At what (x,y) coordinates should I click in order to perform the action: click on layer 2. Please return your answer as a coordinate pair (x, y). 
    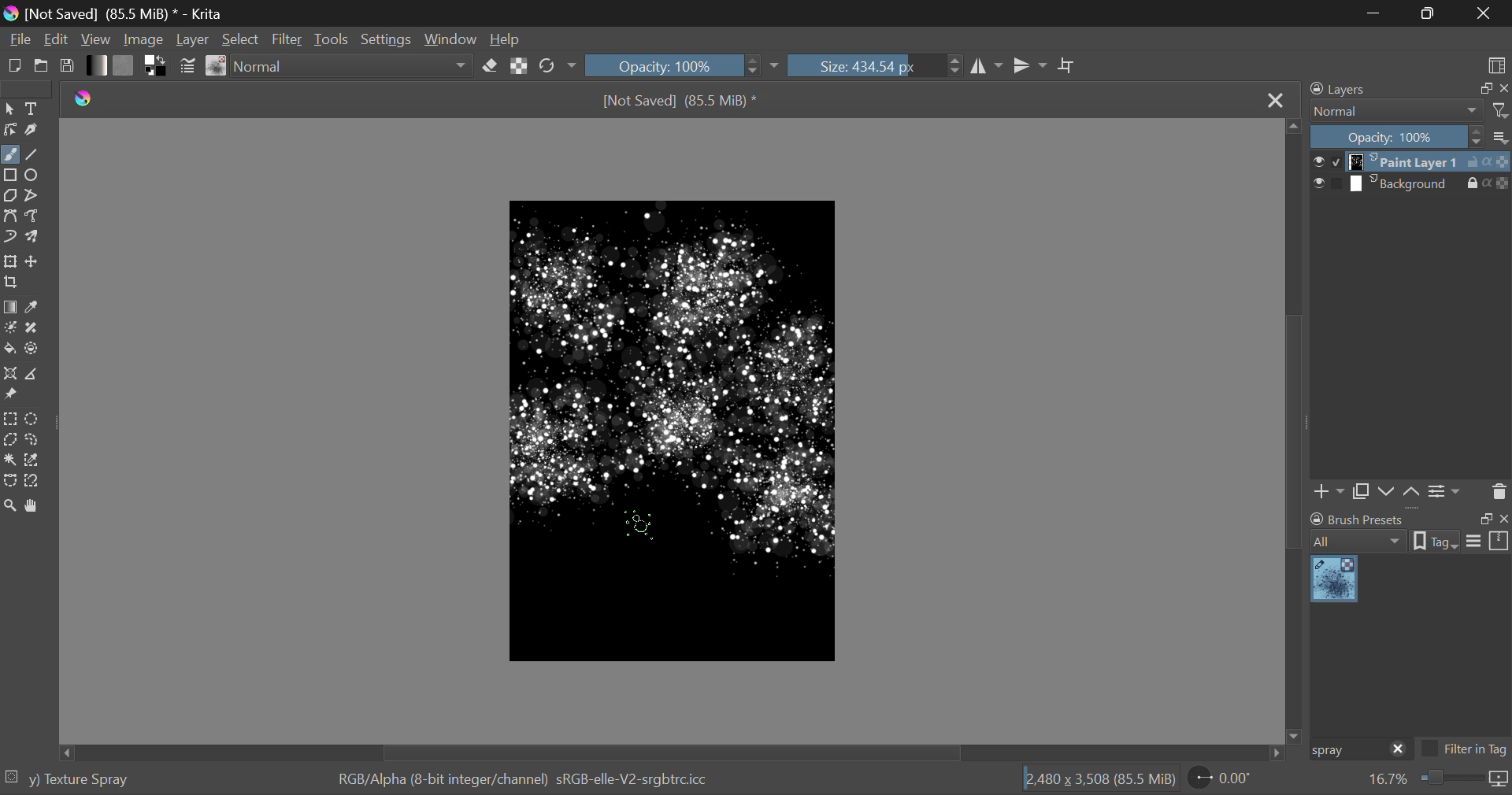
    Looking at the image, I should click on (1405, 184).